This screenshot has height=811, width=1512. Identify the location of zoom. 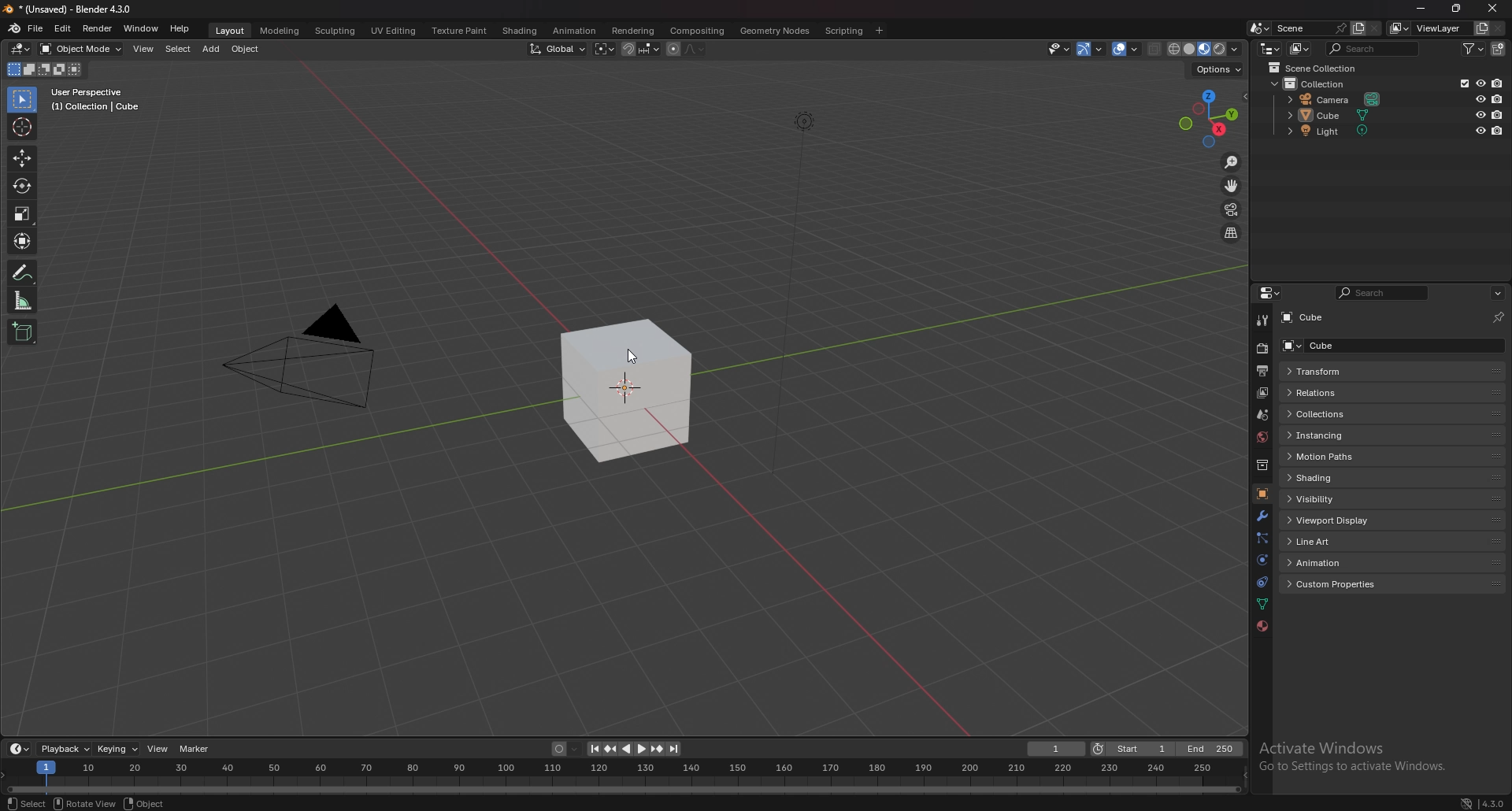
(1232, 163).